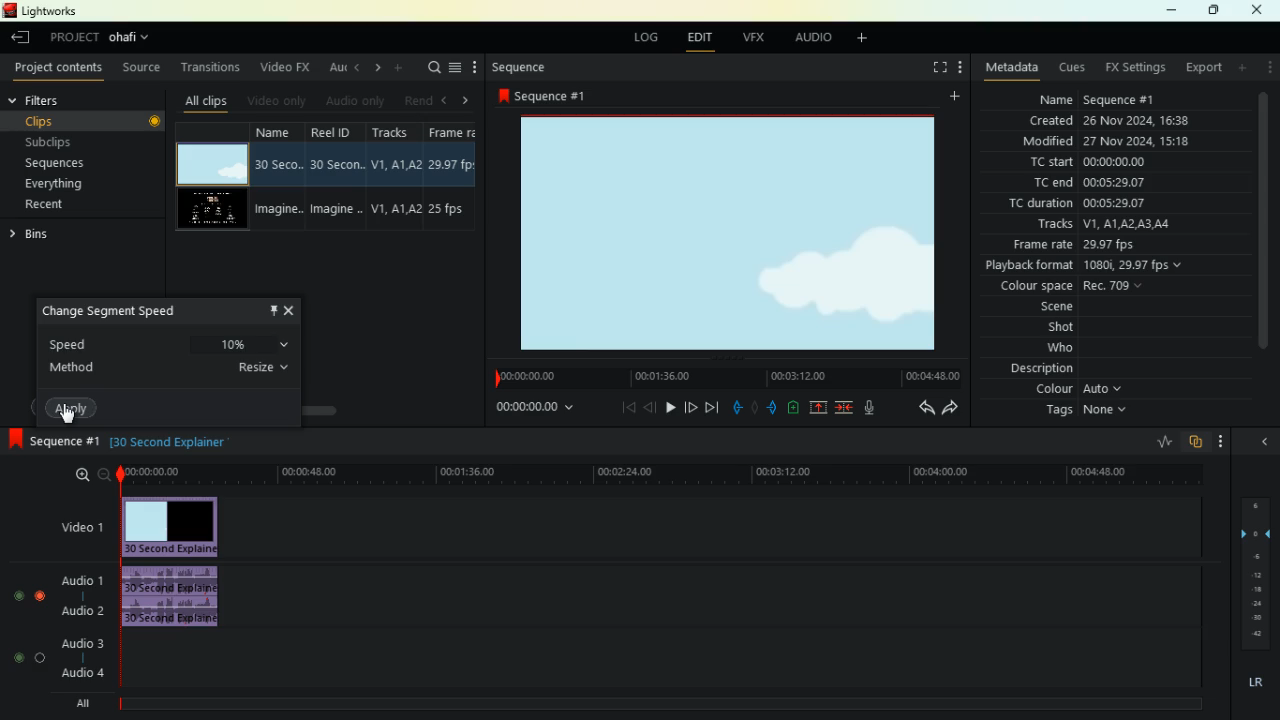 The width and height of the screenshot is (1280, 720). What do you see at coordinates (210, 211) in the screenshot?
I see `video` at bounding box center [210, 211].